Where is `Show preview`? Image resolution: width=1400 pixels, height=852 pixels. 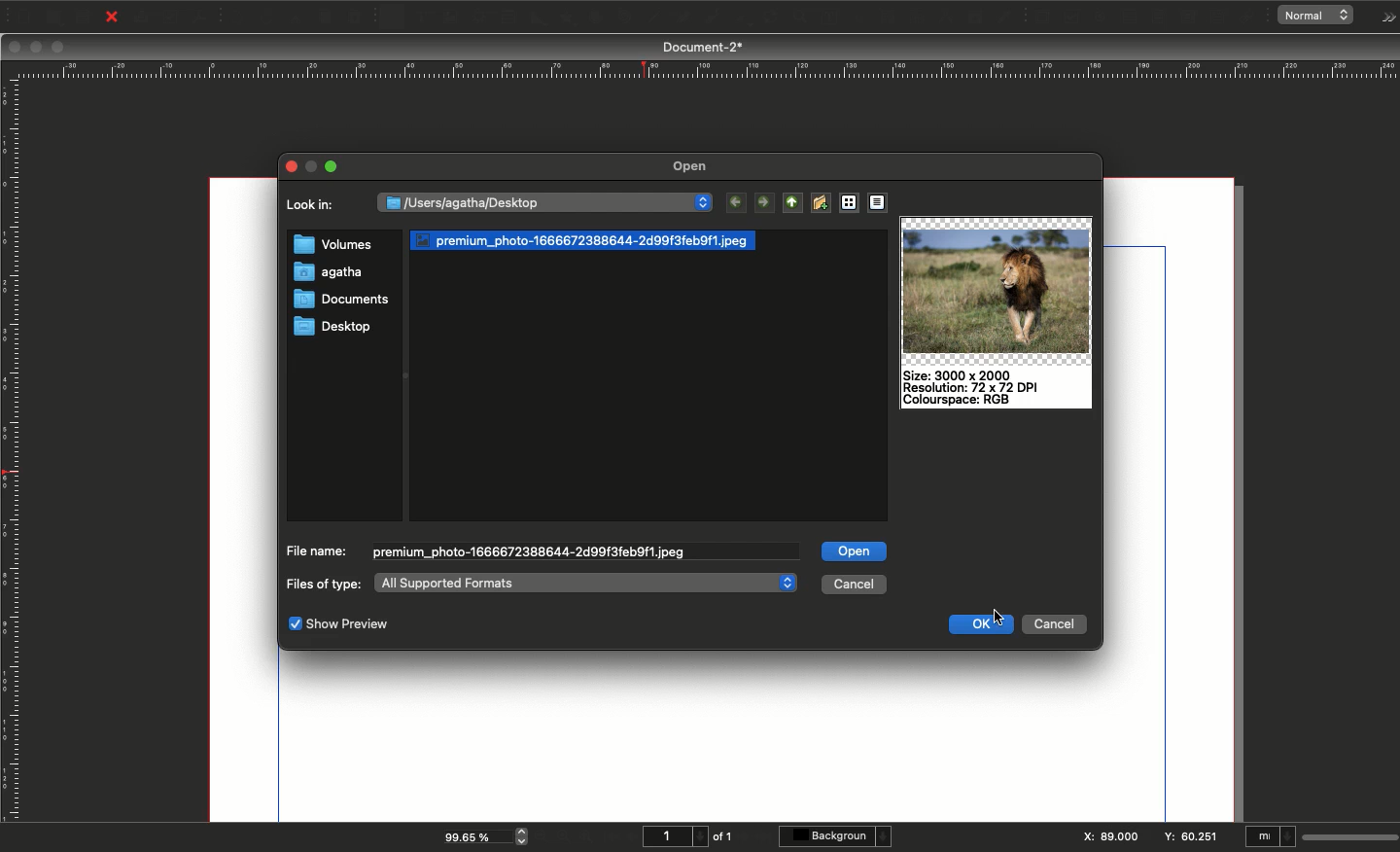 Show preview is located at coordinates (338, 625).